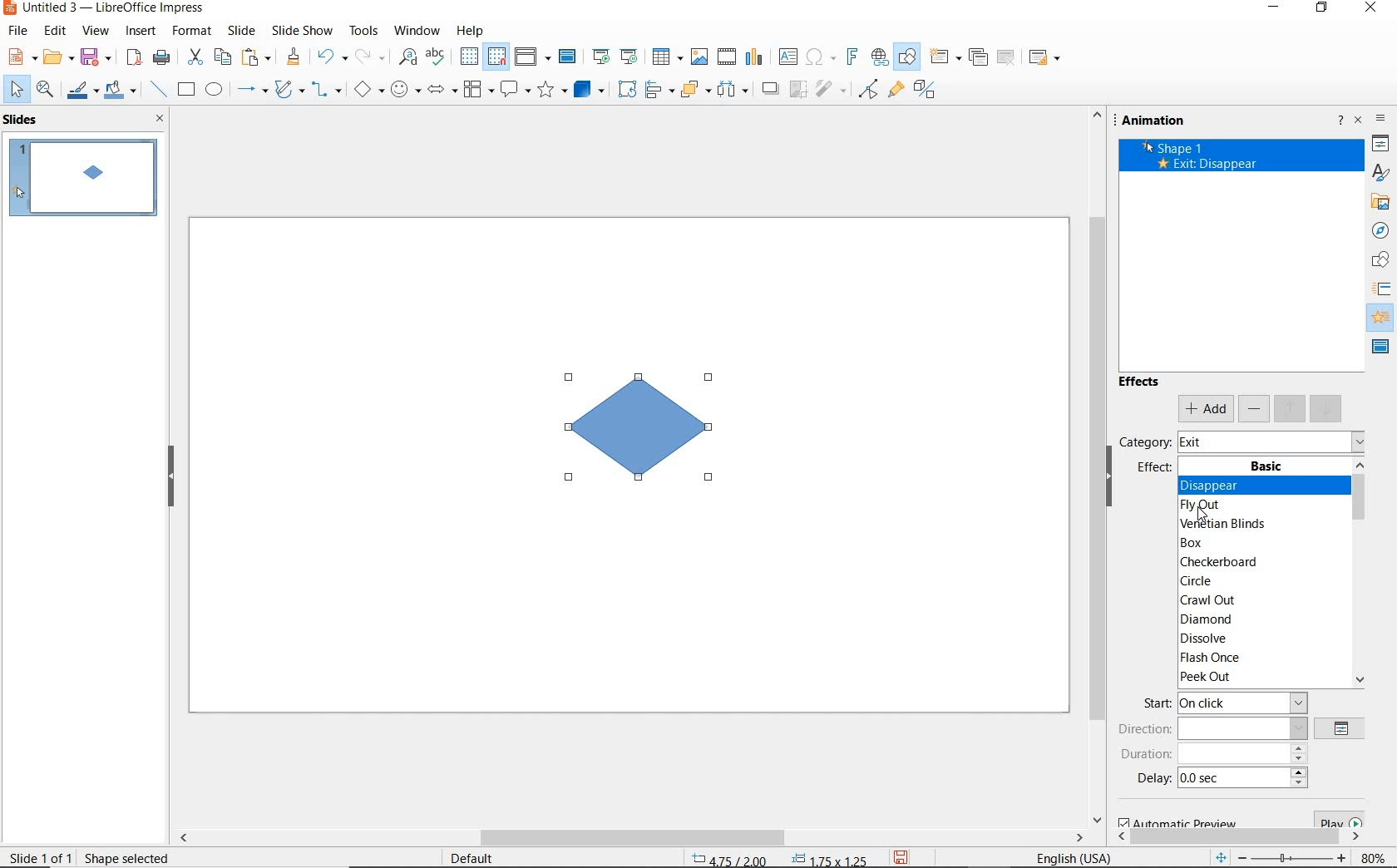 The height and width of the screenshot is (868, 1397). Describe the element at coordinates (978, 57) in the screenshot. I see `duplicate slide` at that location.